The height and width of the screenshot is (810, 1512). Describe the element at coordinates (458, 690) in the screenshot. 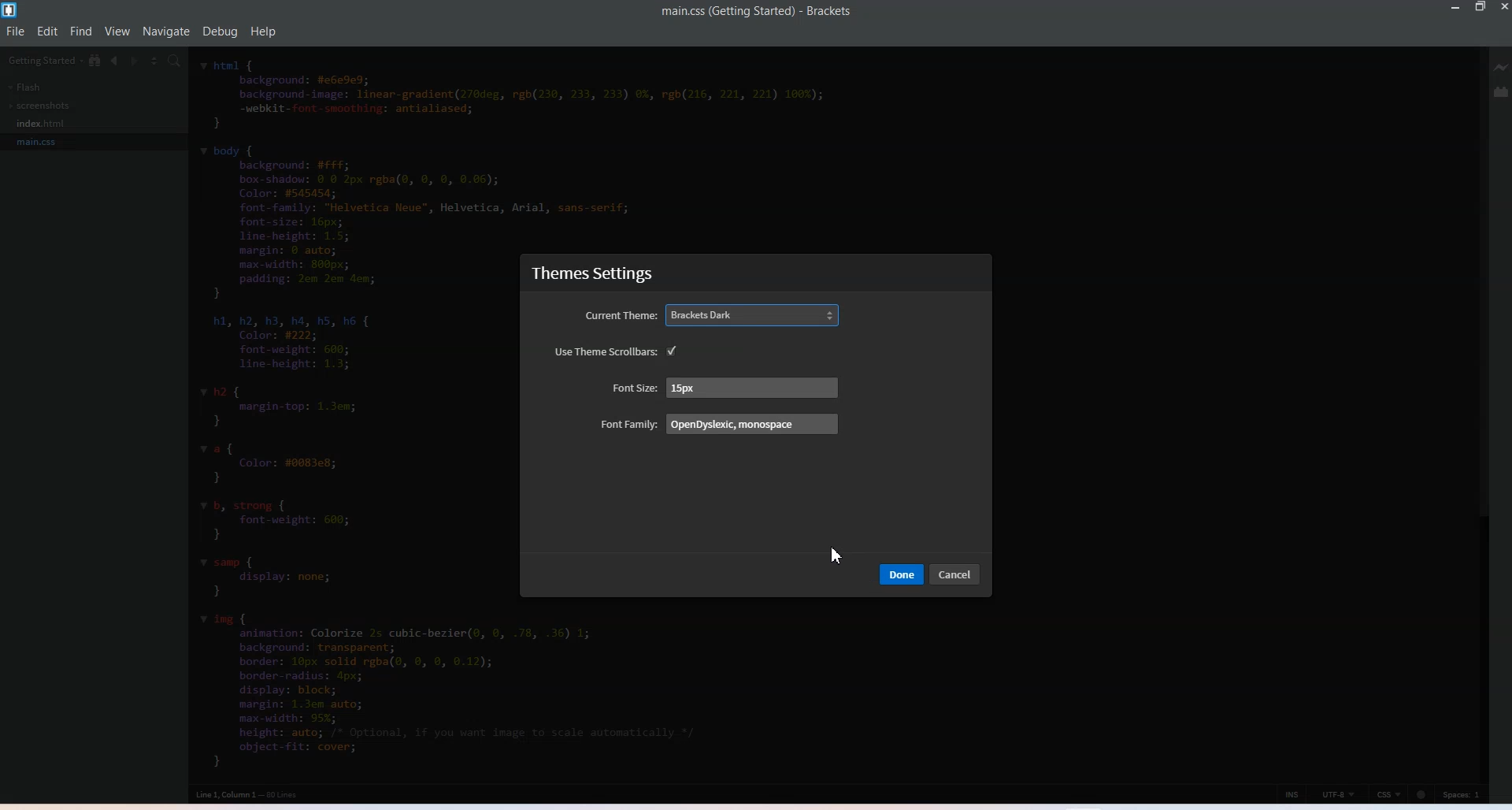

I see `code` at that location.